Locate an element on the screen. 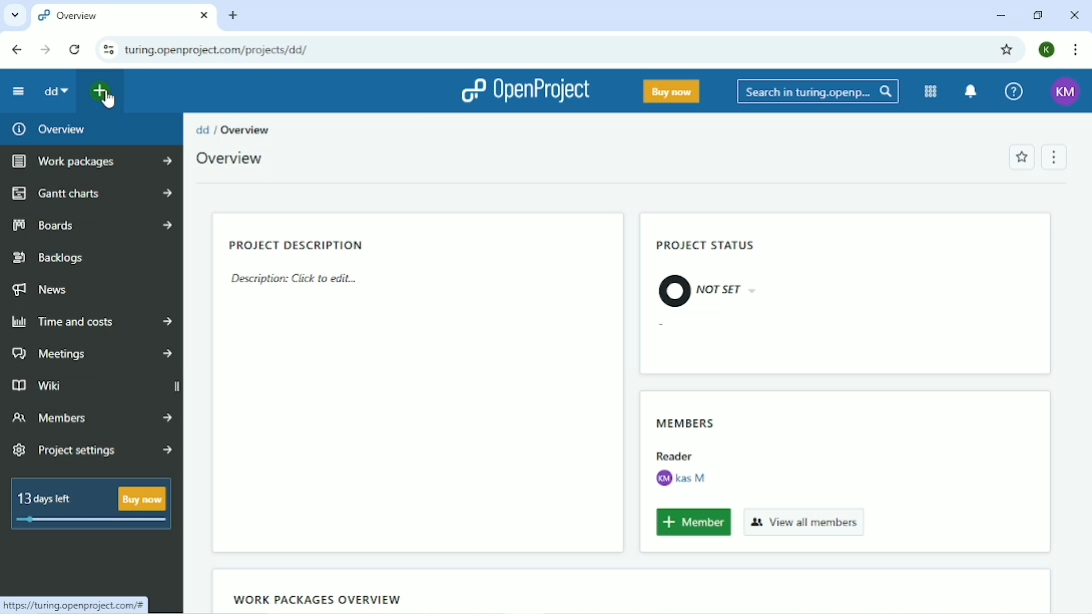  New tab is located at coordinates (234, 15).